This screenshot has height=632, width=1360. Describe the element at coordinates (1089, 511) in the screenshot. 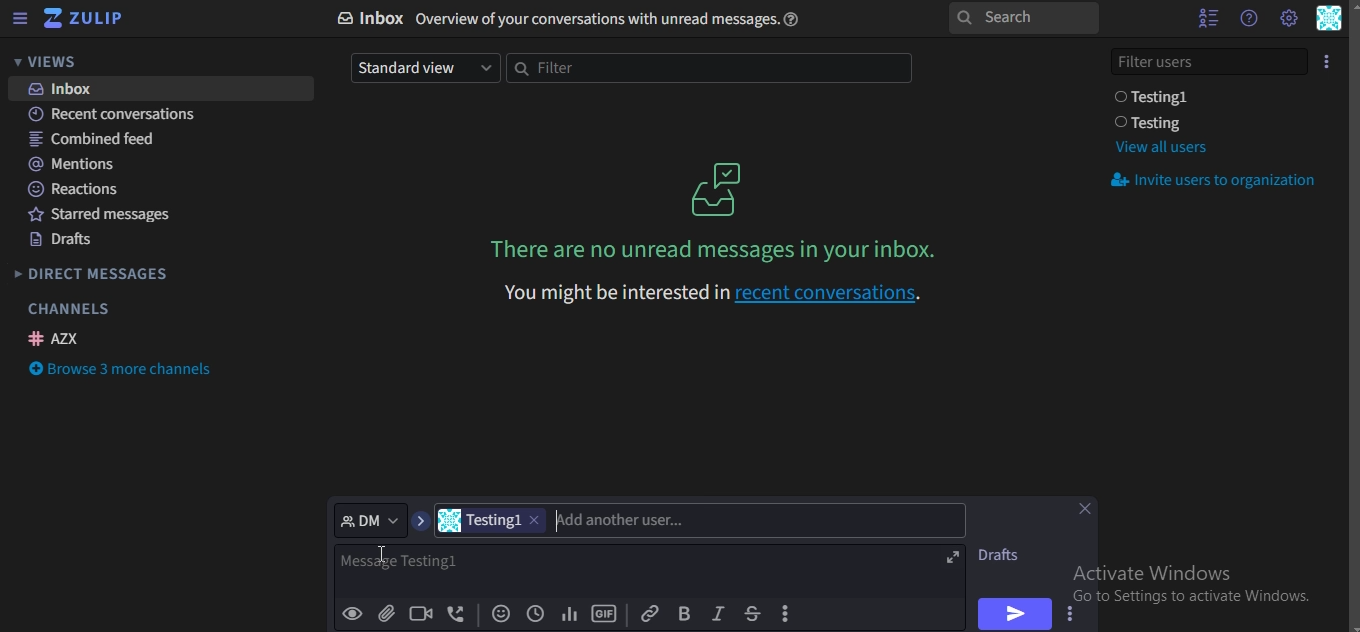

I see `close` at that location.